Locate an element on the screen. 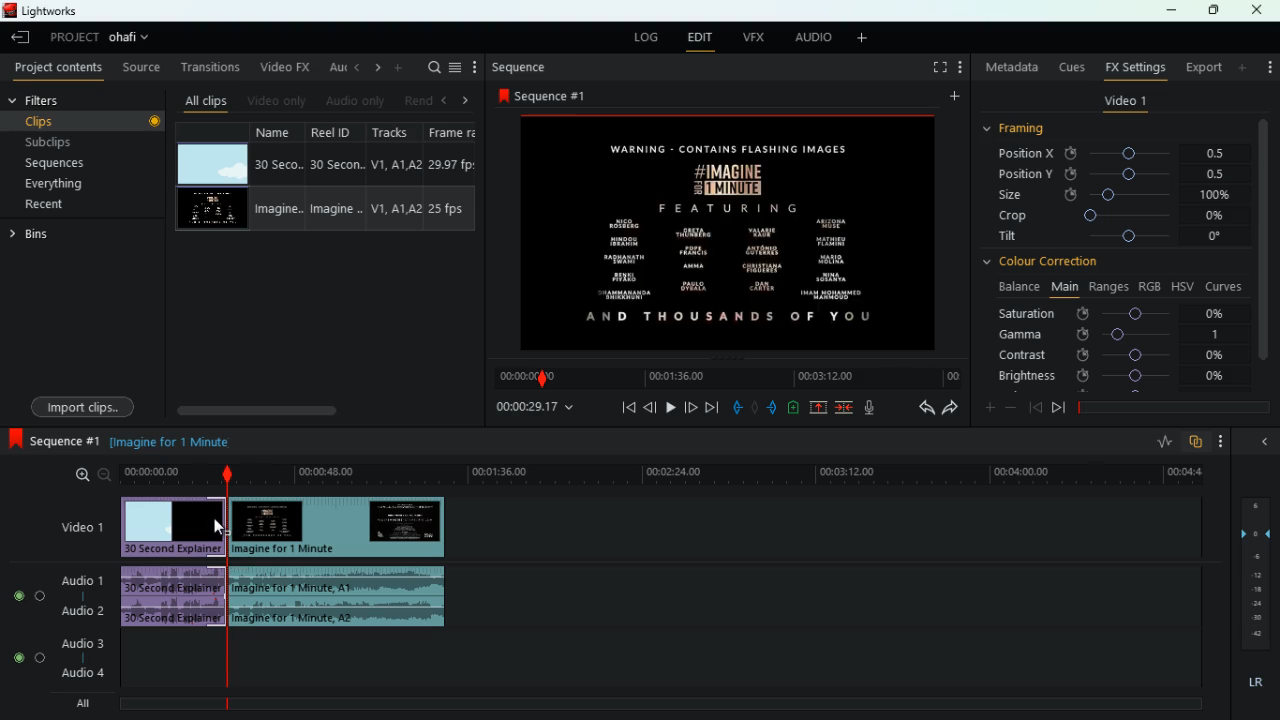  explanation is located at coordinates (175, 441).